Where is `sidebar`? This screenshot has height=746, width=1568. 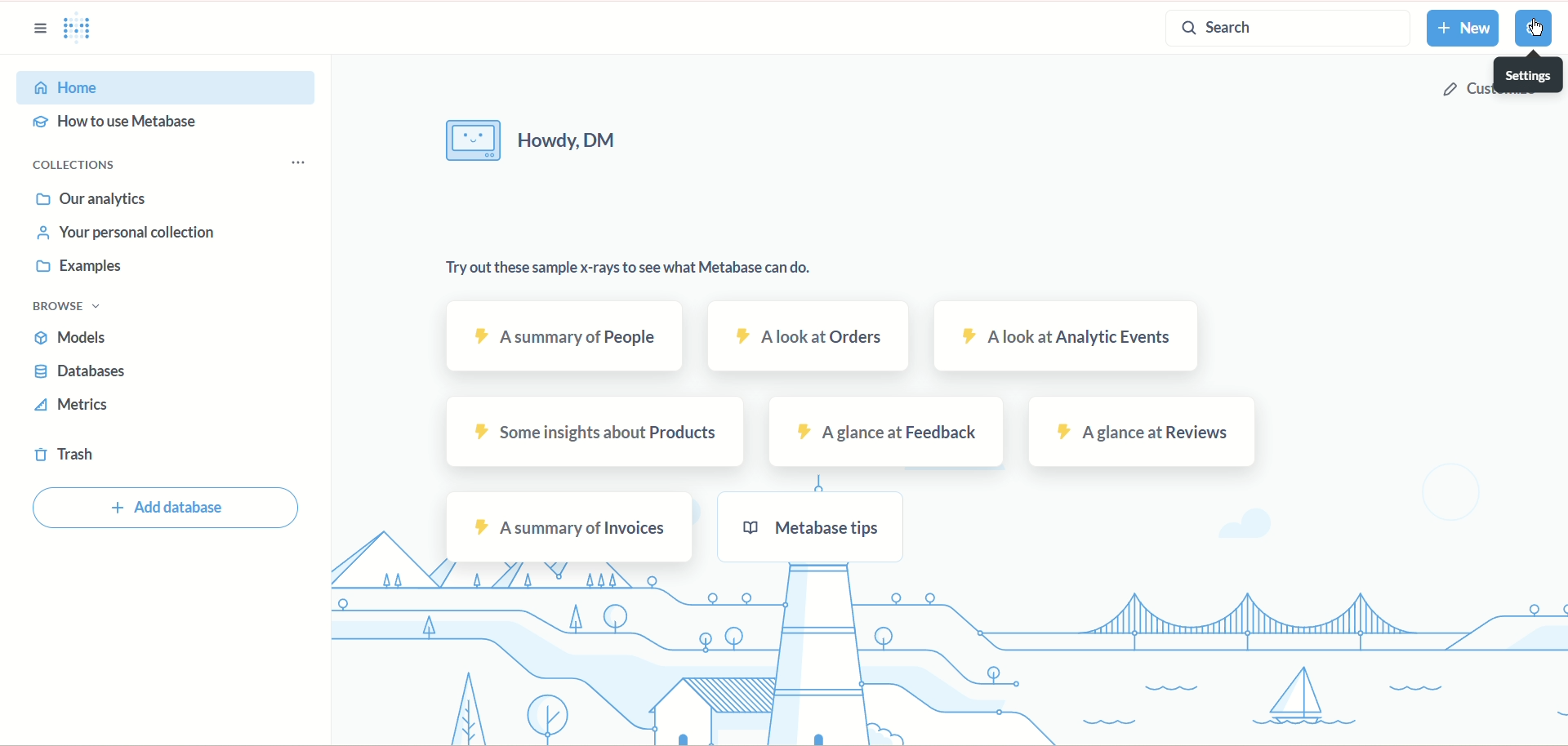 sidebar is located at coordinates (42, 28).